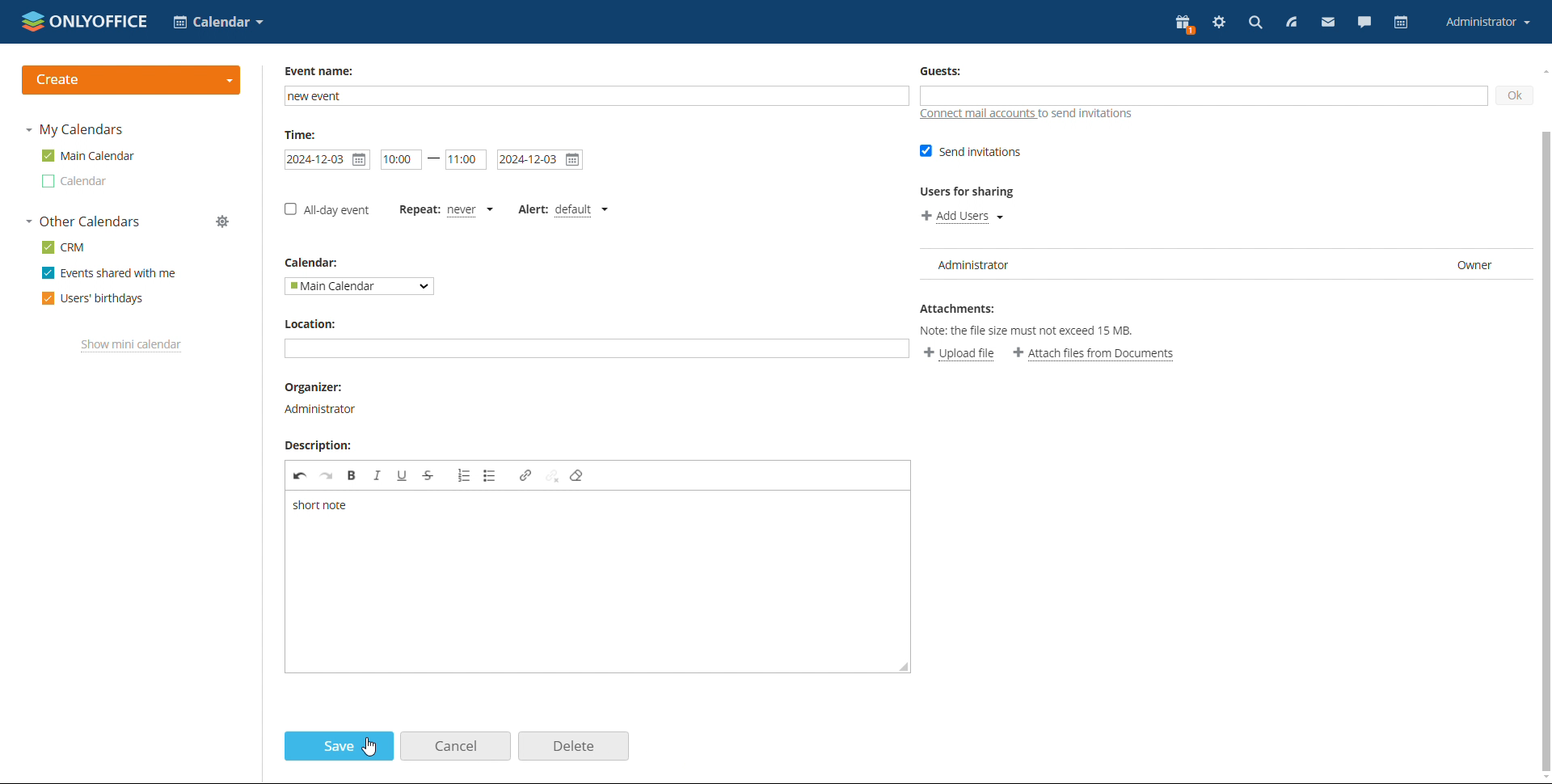  Describe the element at coordinates (524, 476) in the screenshot. I see `link` at that location.